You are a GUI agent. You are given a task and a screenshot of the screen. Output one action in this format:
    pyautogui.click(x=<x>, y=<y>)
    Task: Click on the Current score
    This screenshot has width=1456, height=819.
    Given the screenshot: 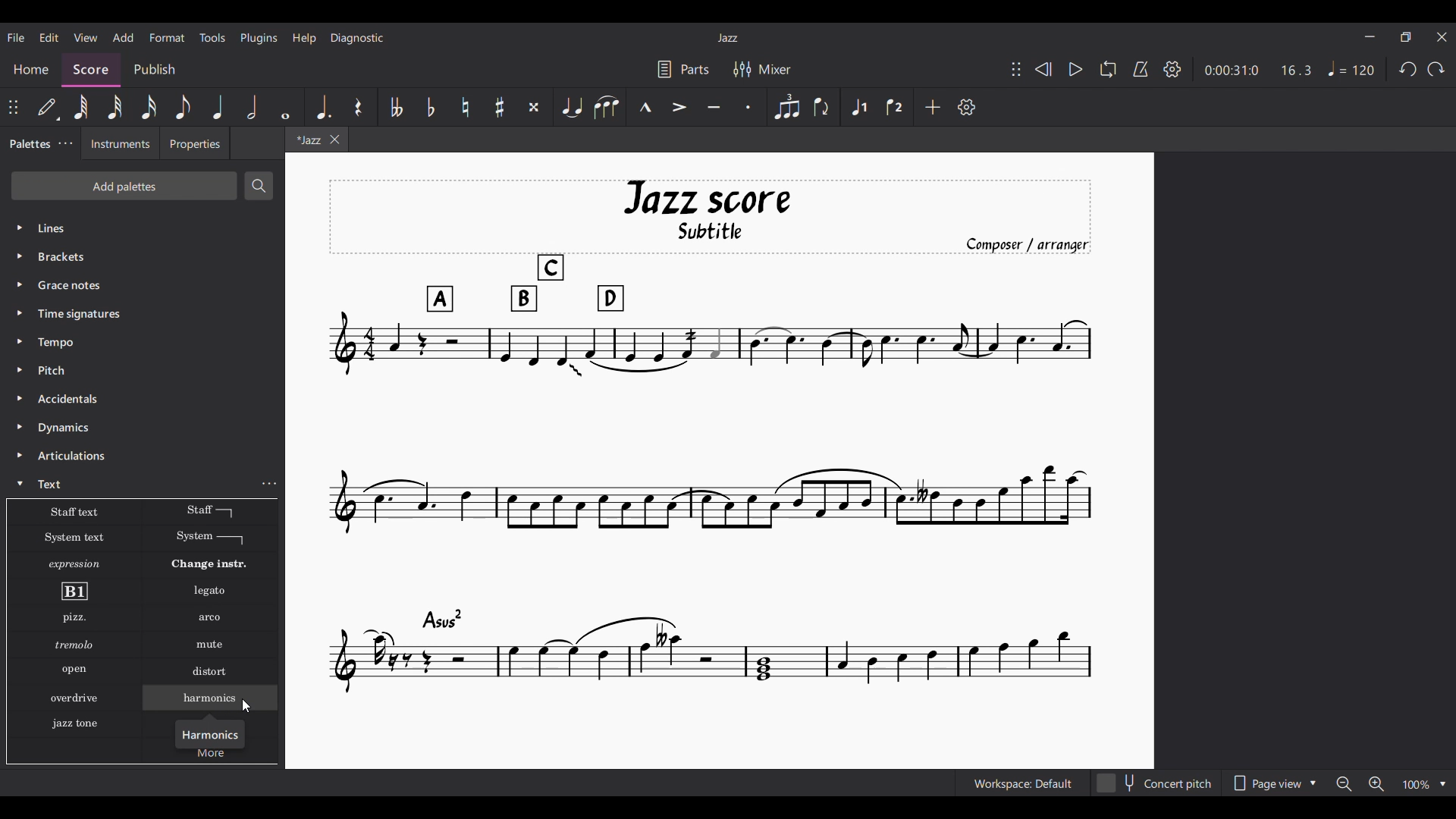 What is the action you would take?
    pyautogui.click(x=710, y=438)
    